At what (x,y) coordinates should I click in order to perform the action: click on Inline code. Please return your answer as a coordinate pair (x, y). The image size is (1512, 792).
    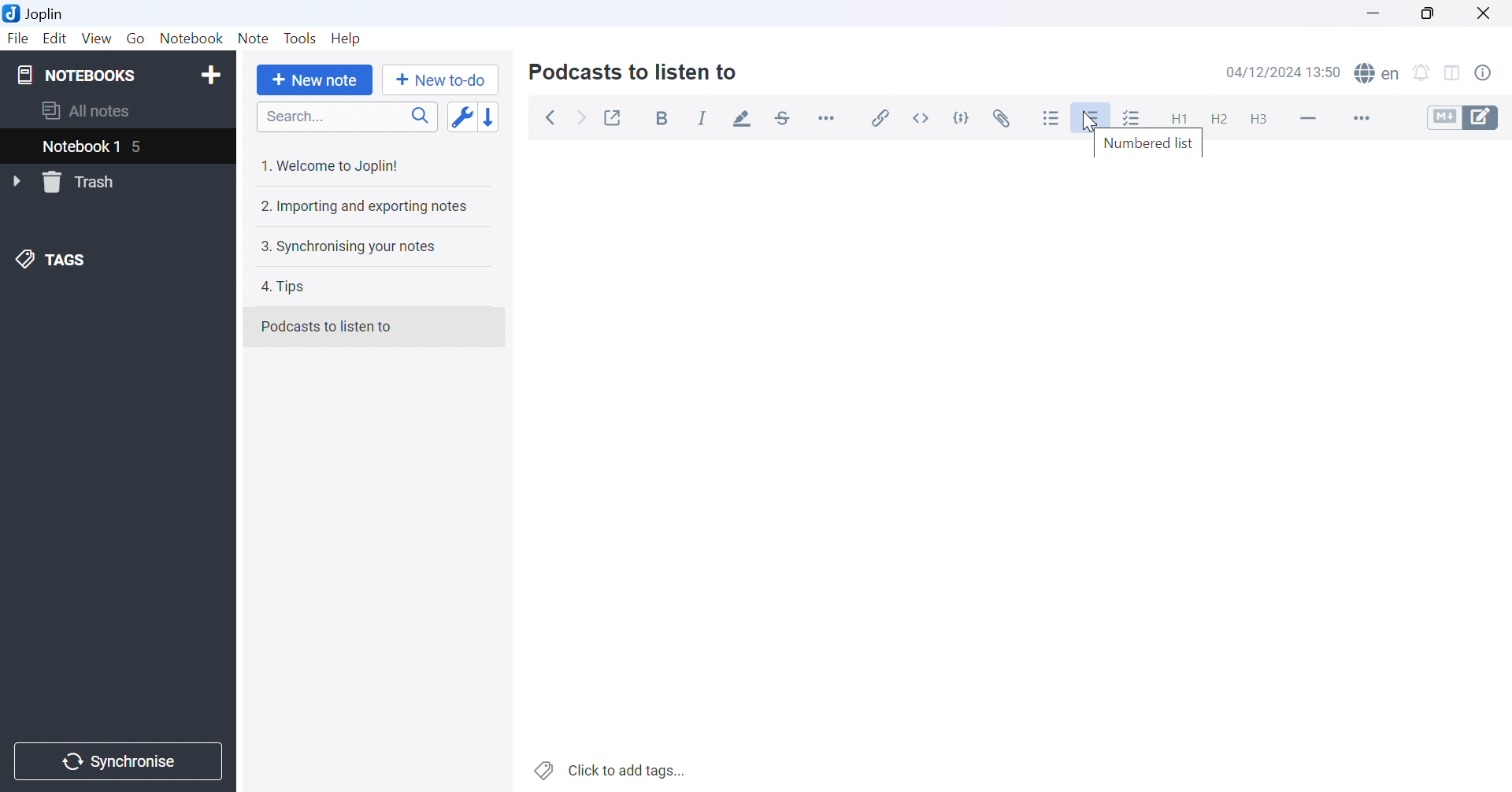
    Looking at the image, I should click on (925, 117).